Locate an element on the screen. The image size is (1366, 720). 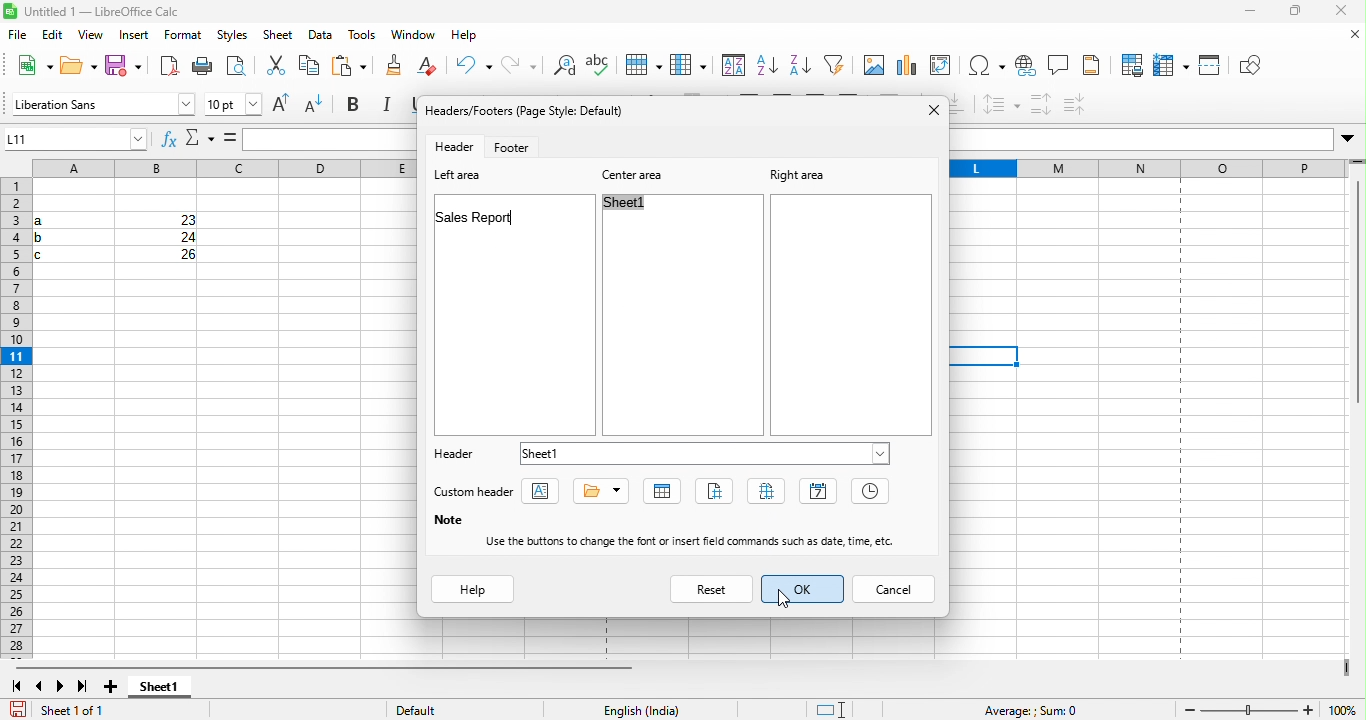
reset is located at coordinates (712, 588).